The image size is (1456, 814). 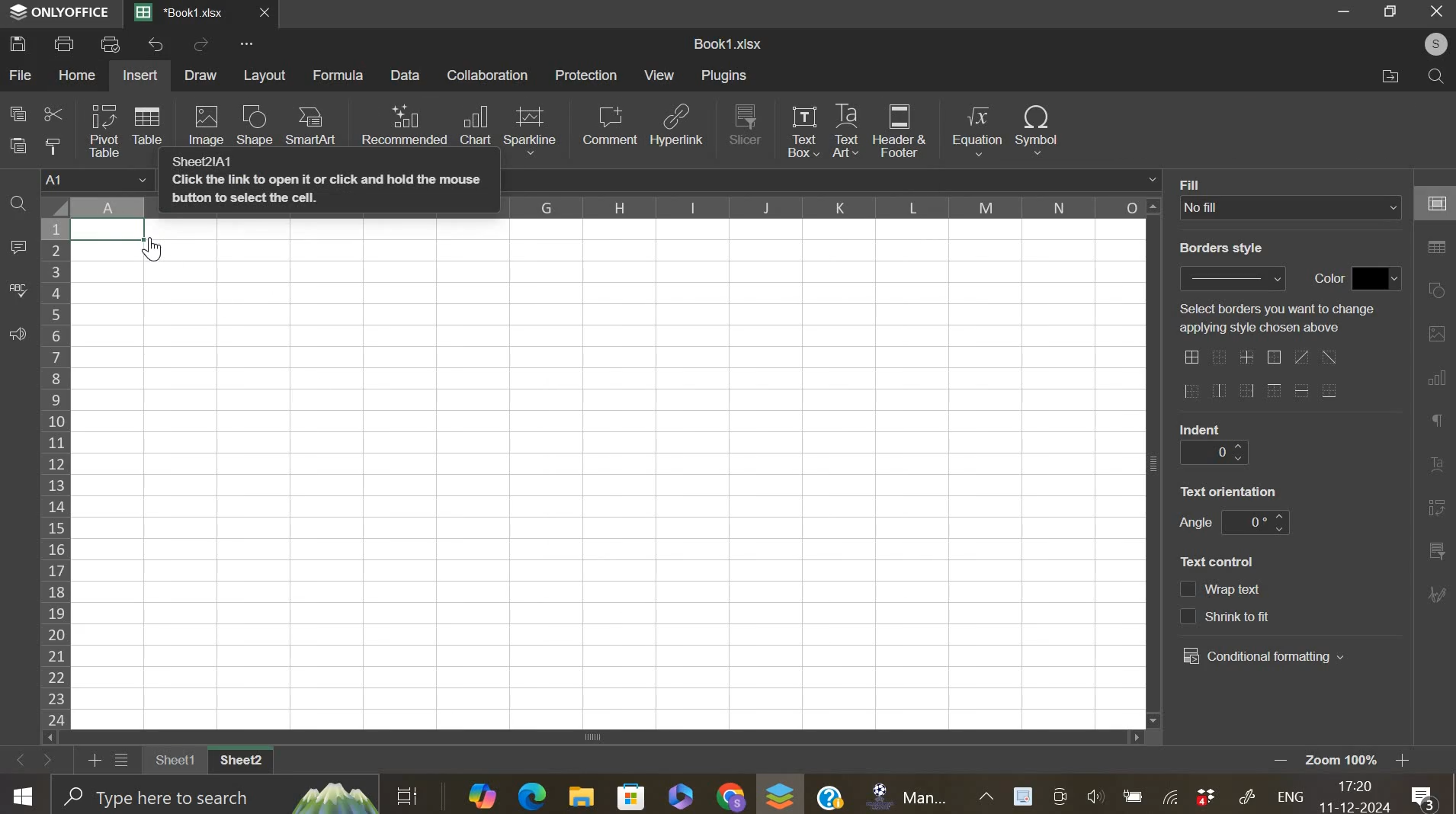 What do you see at coordinates (746, 123) in the screenshot?
I see `slicer` at bounding box center [746, 123].